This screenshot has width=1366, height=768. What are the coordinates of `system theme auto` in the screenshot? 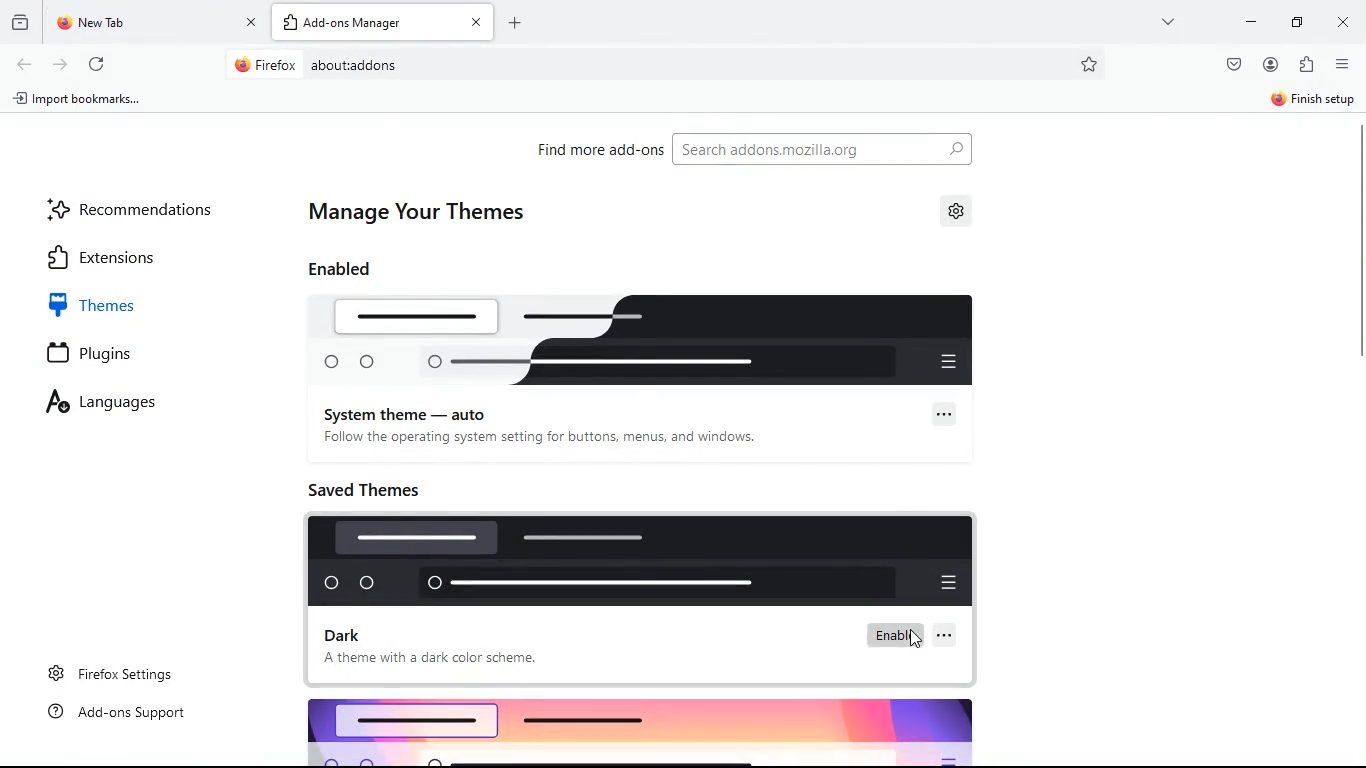 It's located at (410, 413).